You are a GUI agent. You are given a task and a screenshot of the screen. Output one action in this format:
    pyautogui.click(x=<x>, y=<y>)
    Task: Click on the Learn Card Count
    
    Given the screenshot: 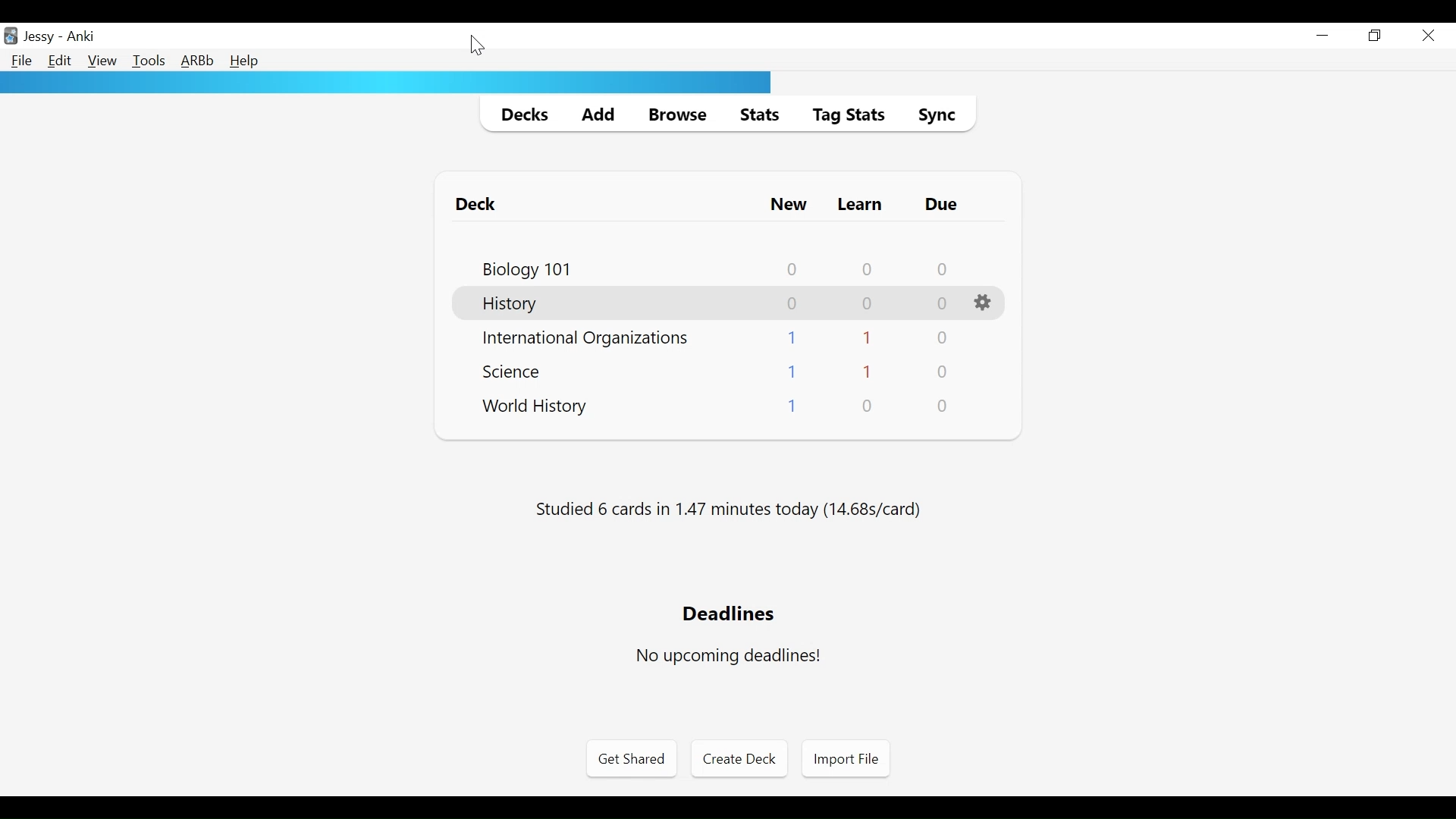 What is the action you would take?
    pyautogui.click(x=868, y=338)
    